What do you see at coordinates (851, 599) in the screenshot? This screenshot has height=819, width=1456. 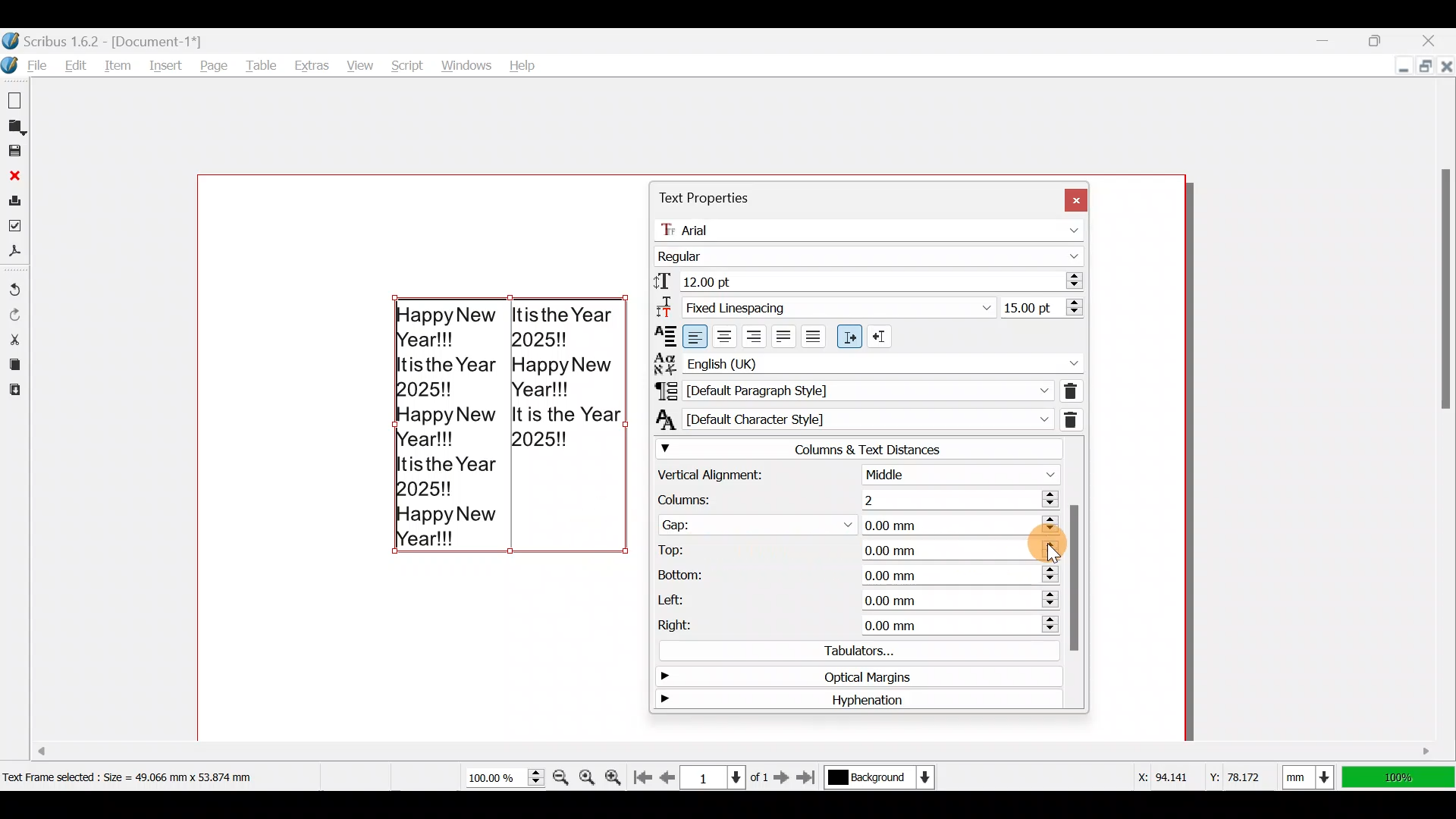 I see `Left` at bounding box center [851, 599].